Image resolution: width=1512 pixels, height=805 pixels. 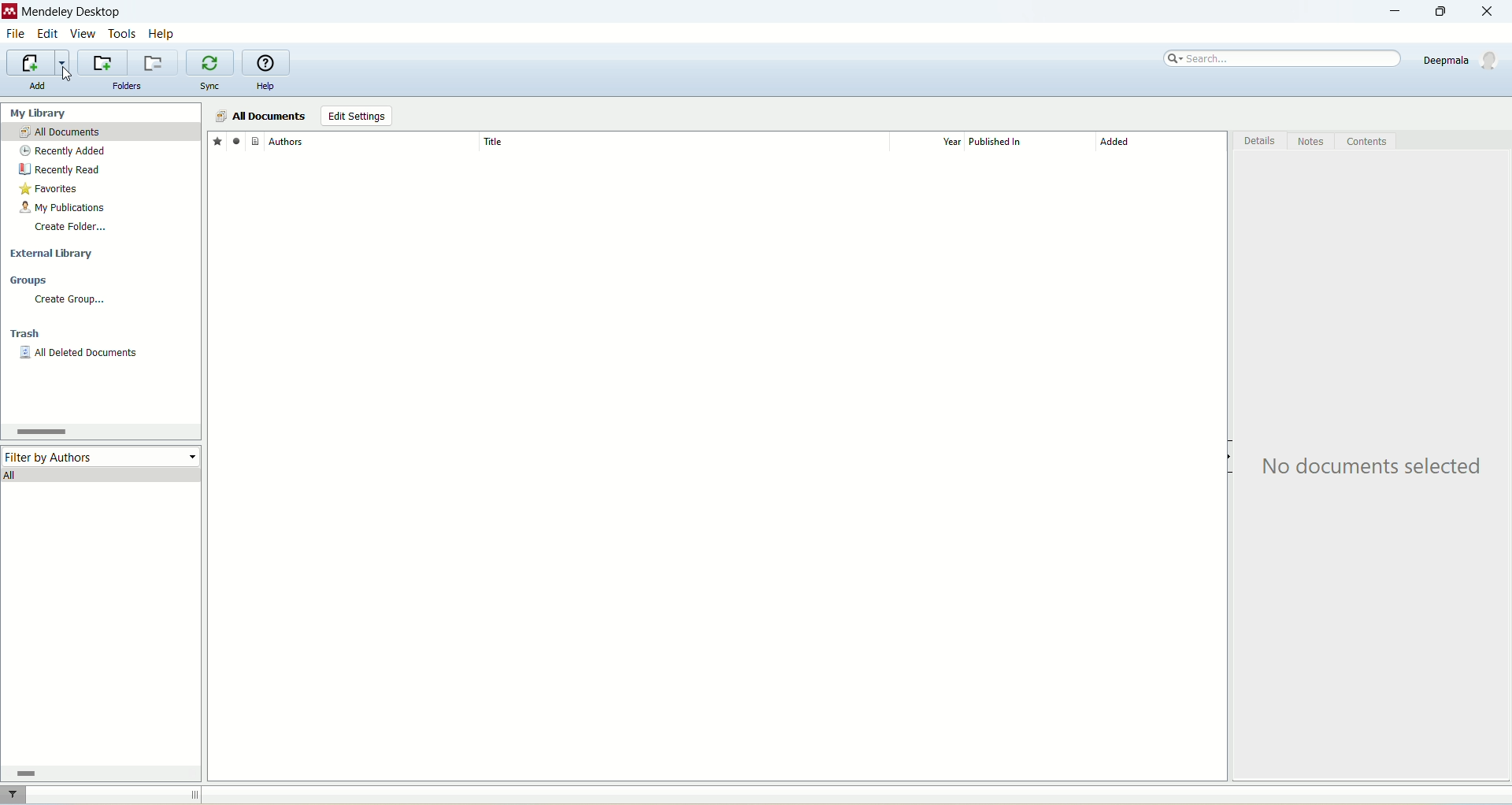 I want to click on trash, so click(x=28, y=336).